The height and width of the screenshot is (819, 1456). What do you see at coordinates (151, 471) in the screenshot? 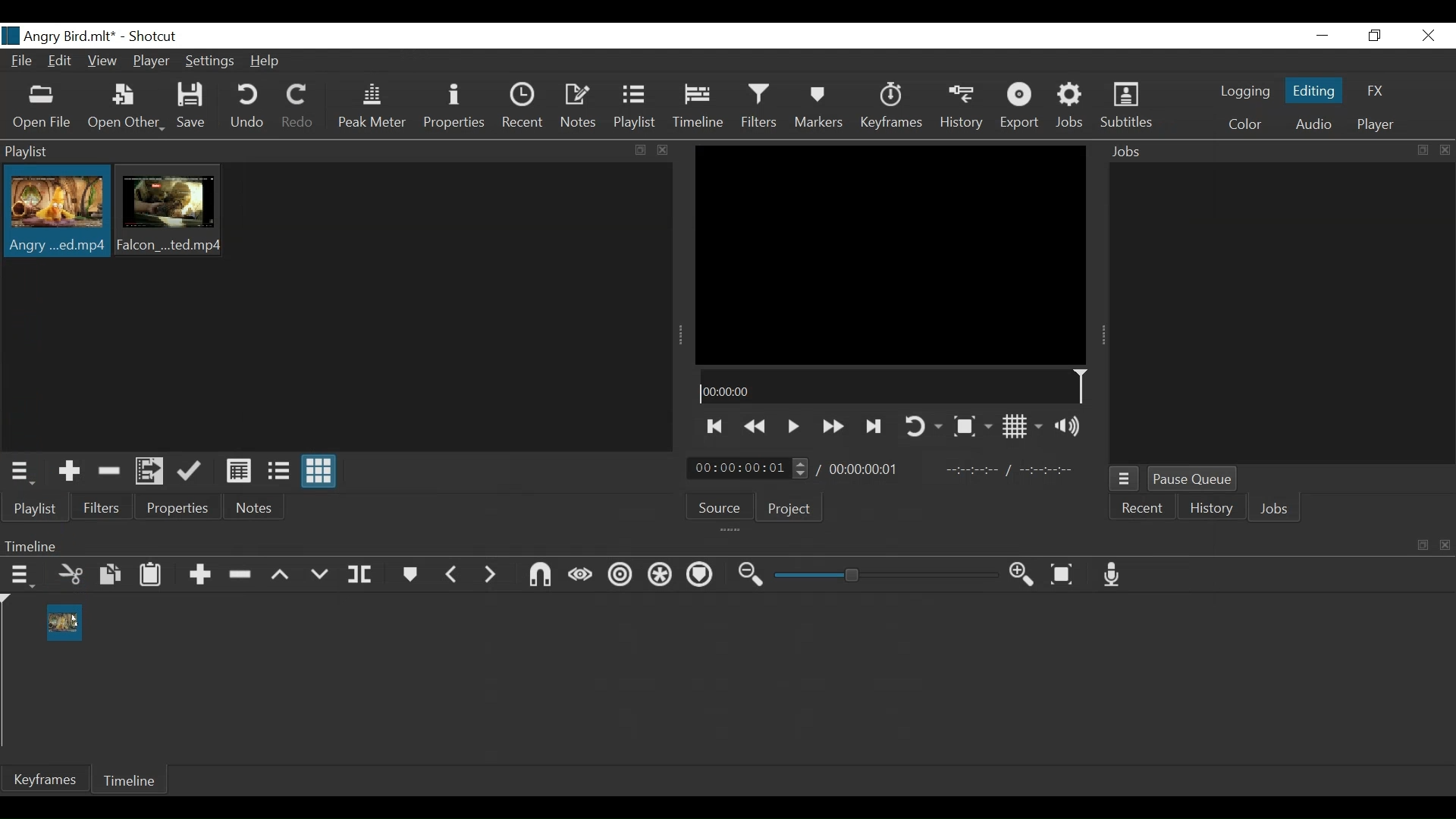
I see `Add files to the playlist` at bounding box center [151, 471].